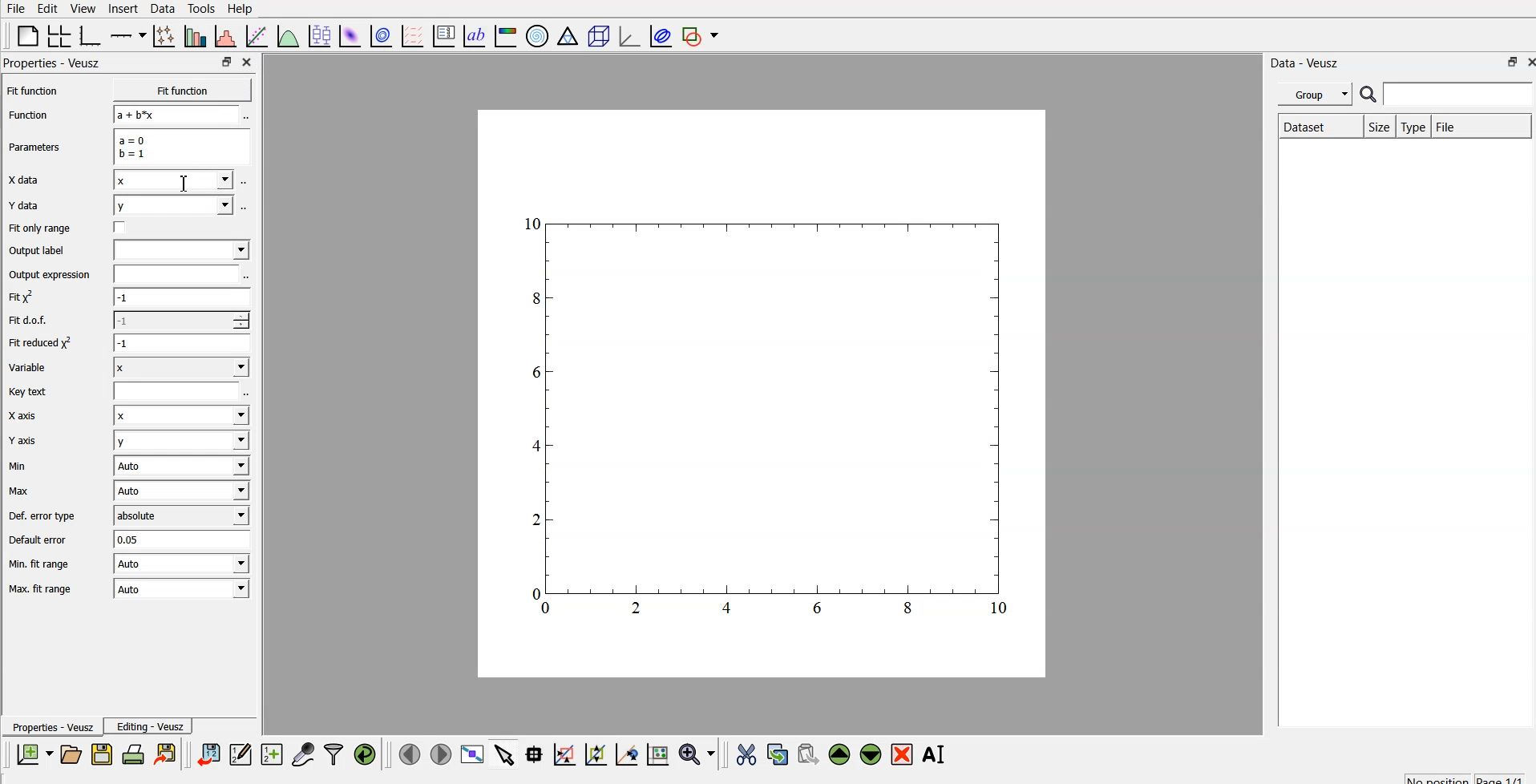  Describe the element at coordinates (509, 36) in the screenshot. I see `image color bar` at that location.